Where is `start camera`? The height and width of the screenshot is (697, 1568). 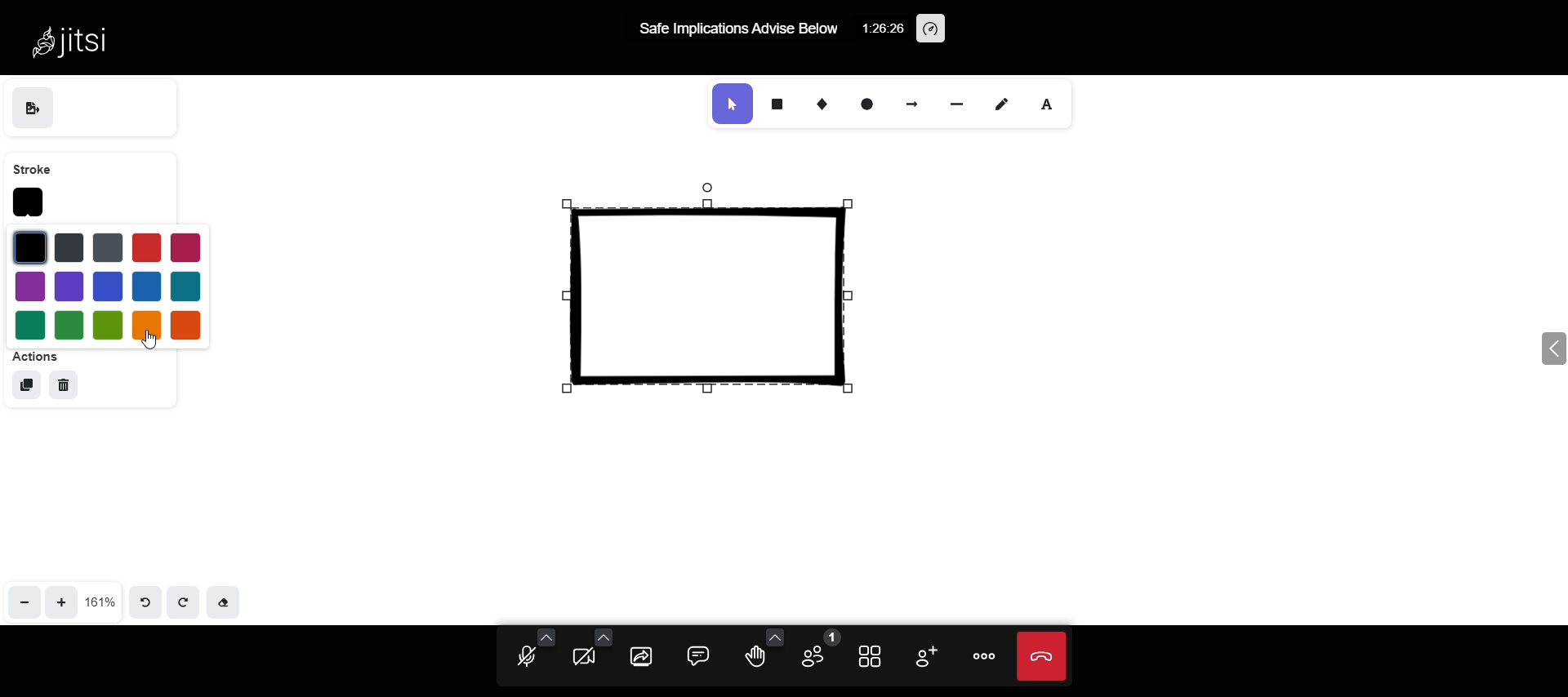
start camera is located at coordinates (583, 657).